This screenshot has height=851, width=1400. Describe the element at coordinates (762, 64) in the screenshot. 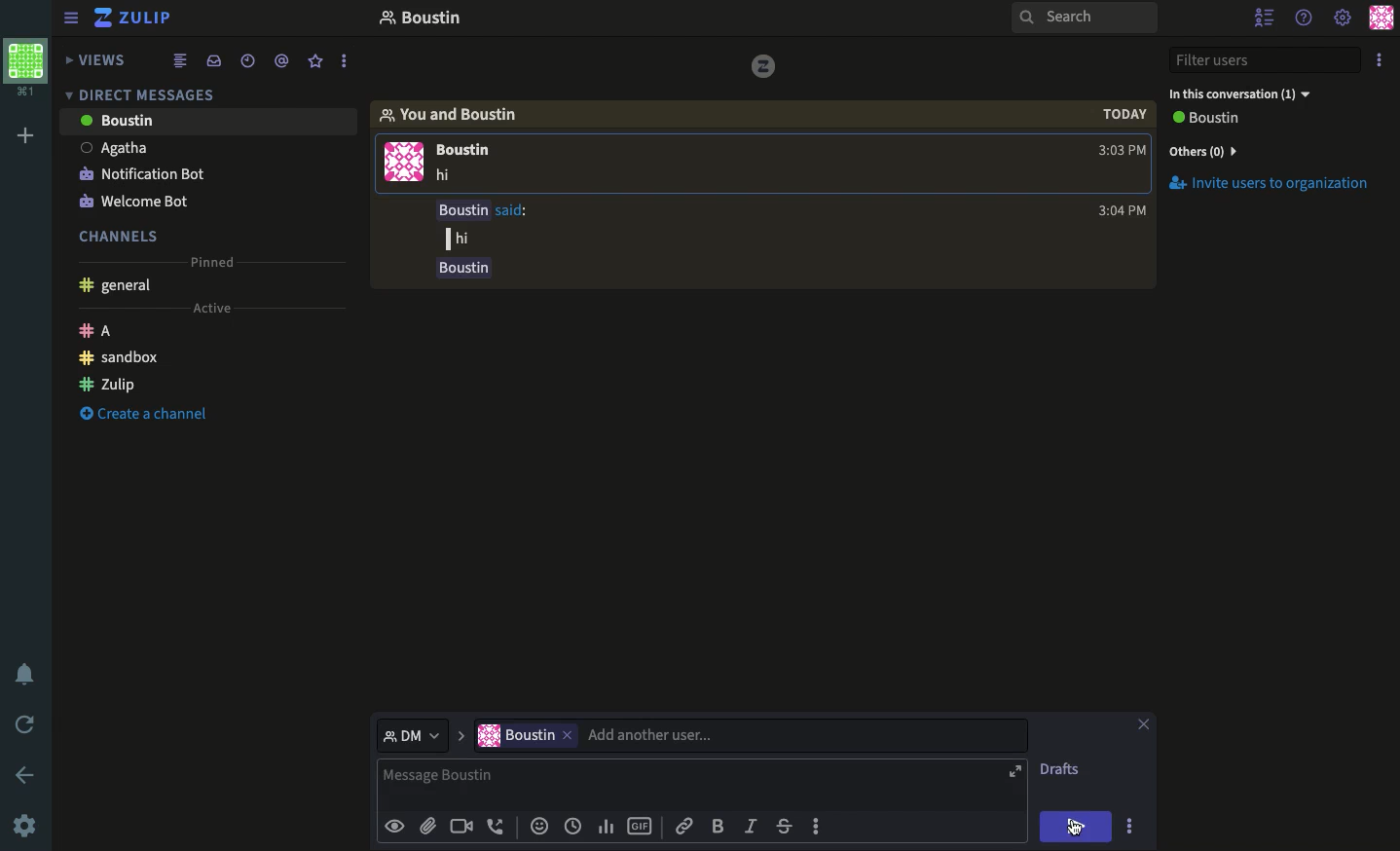

I see `vice versa` at that location.